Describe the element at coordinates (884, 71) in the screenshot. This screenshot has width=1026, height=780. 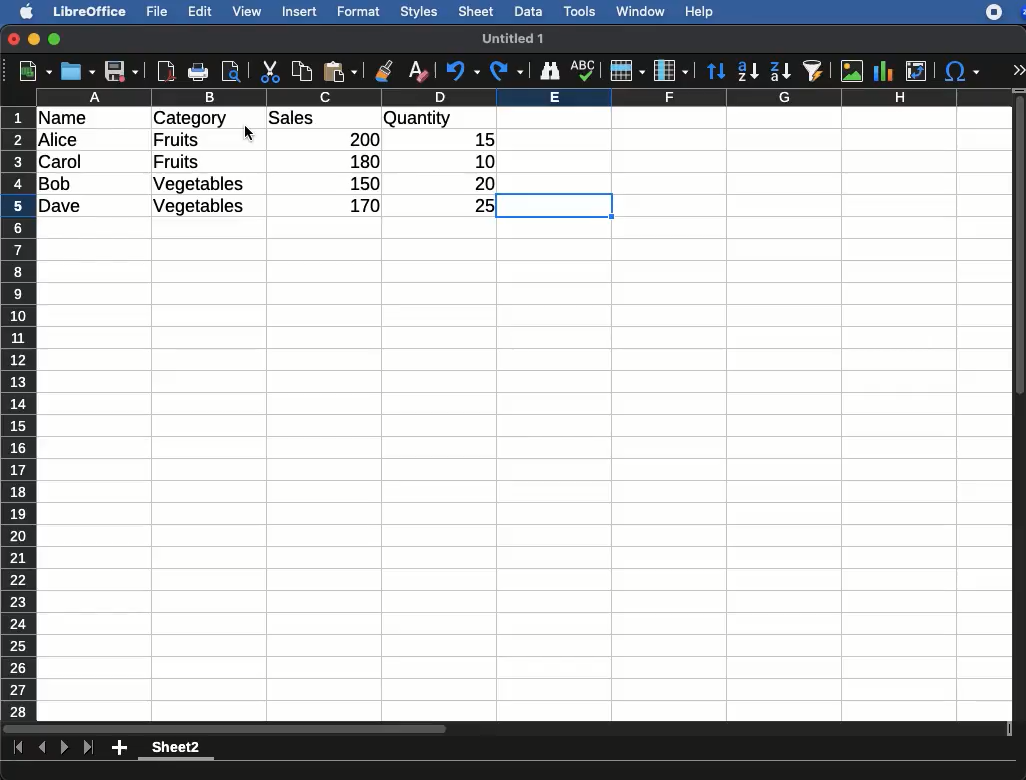
I see `chart` at that location.